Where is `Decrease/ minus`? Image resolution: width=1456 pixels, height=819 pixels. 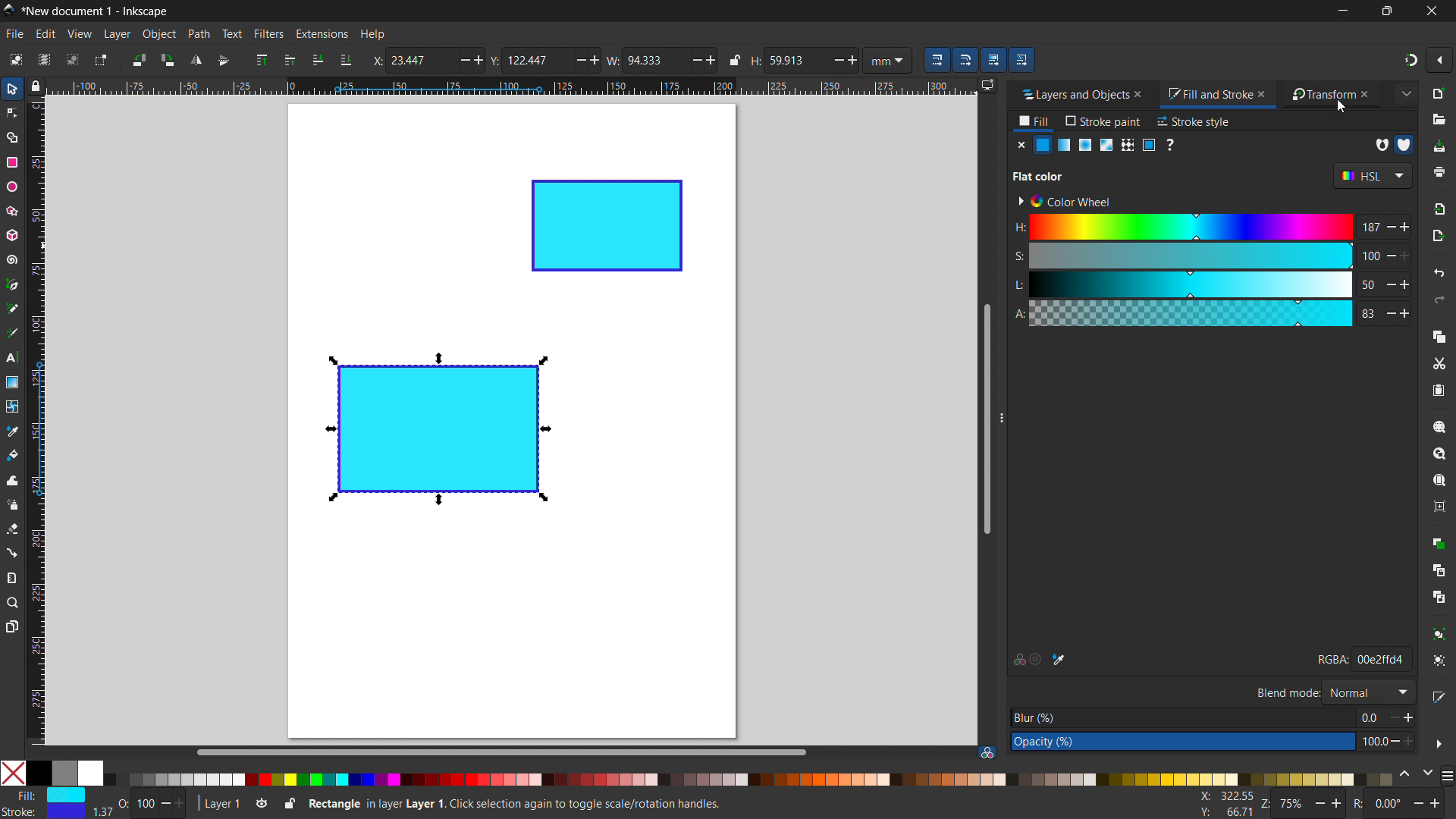 Decrease/ minus is located at coordinates (833, 59).